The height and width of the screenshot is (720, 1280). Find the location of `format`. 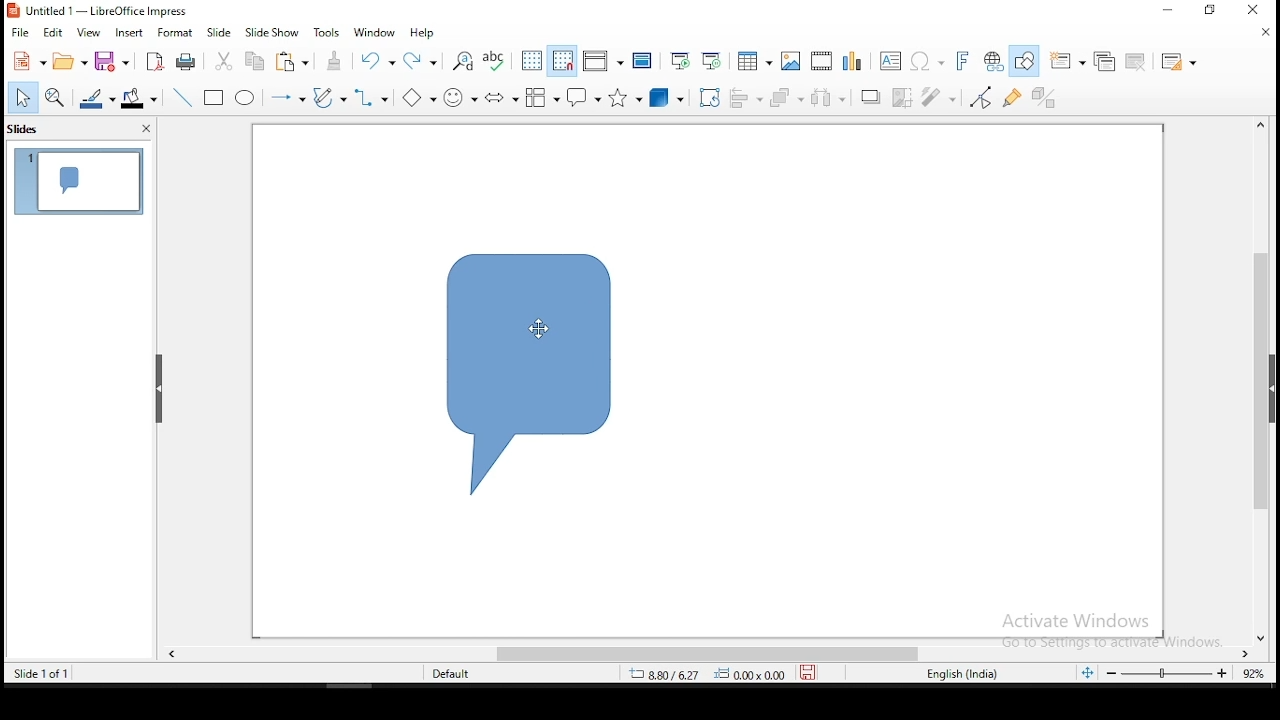

format is located at coordinates (173, 33).